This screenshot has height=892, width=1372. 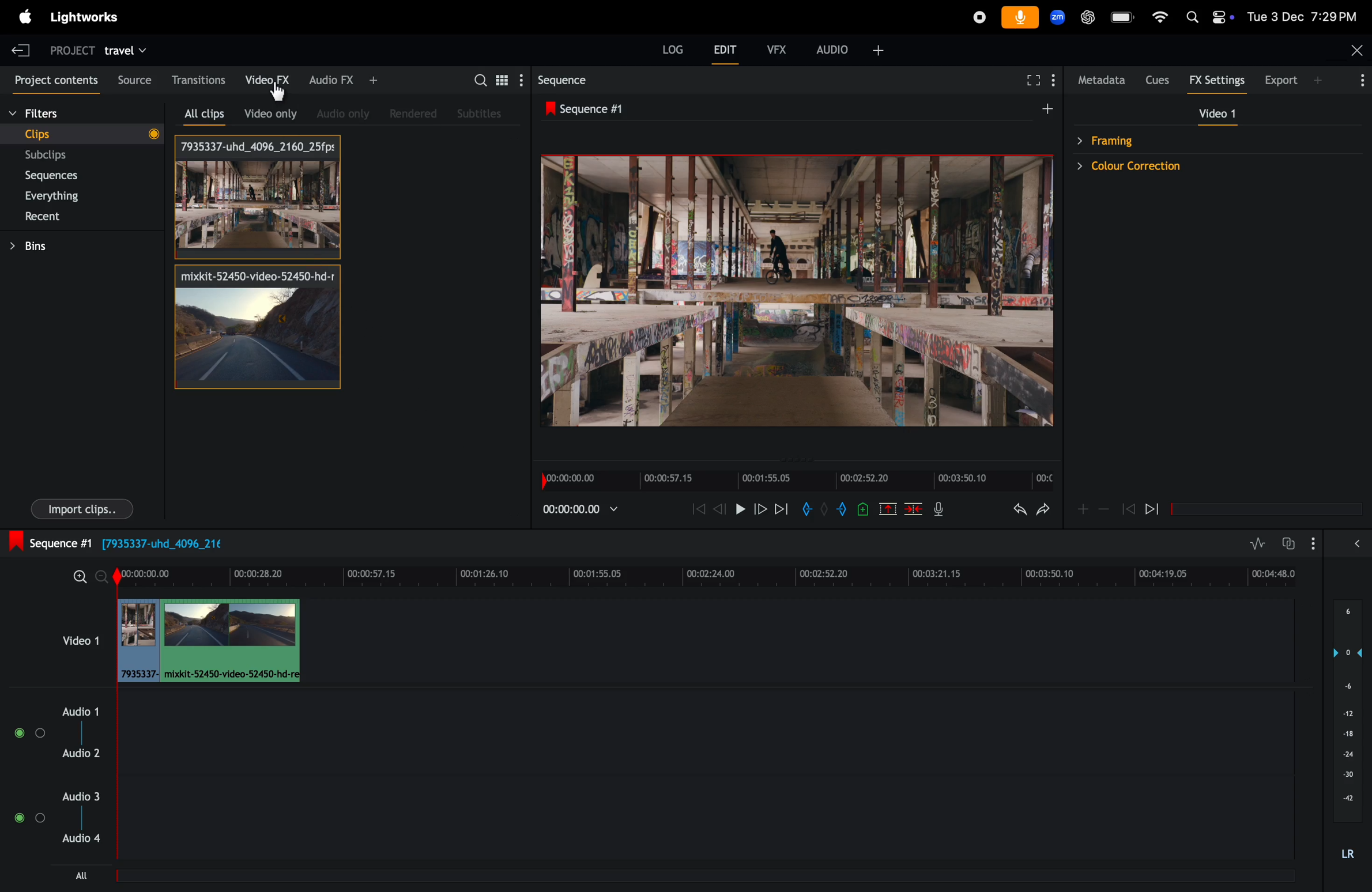 What do you see at coordinates (81, 154) in the screenshot?
I see `sub clips` at bounding box center [81, 154].